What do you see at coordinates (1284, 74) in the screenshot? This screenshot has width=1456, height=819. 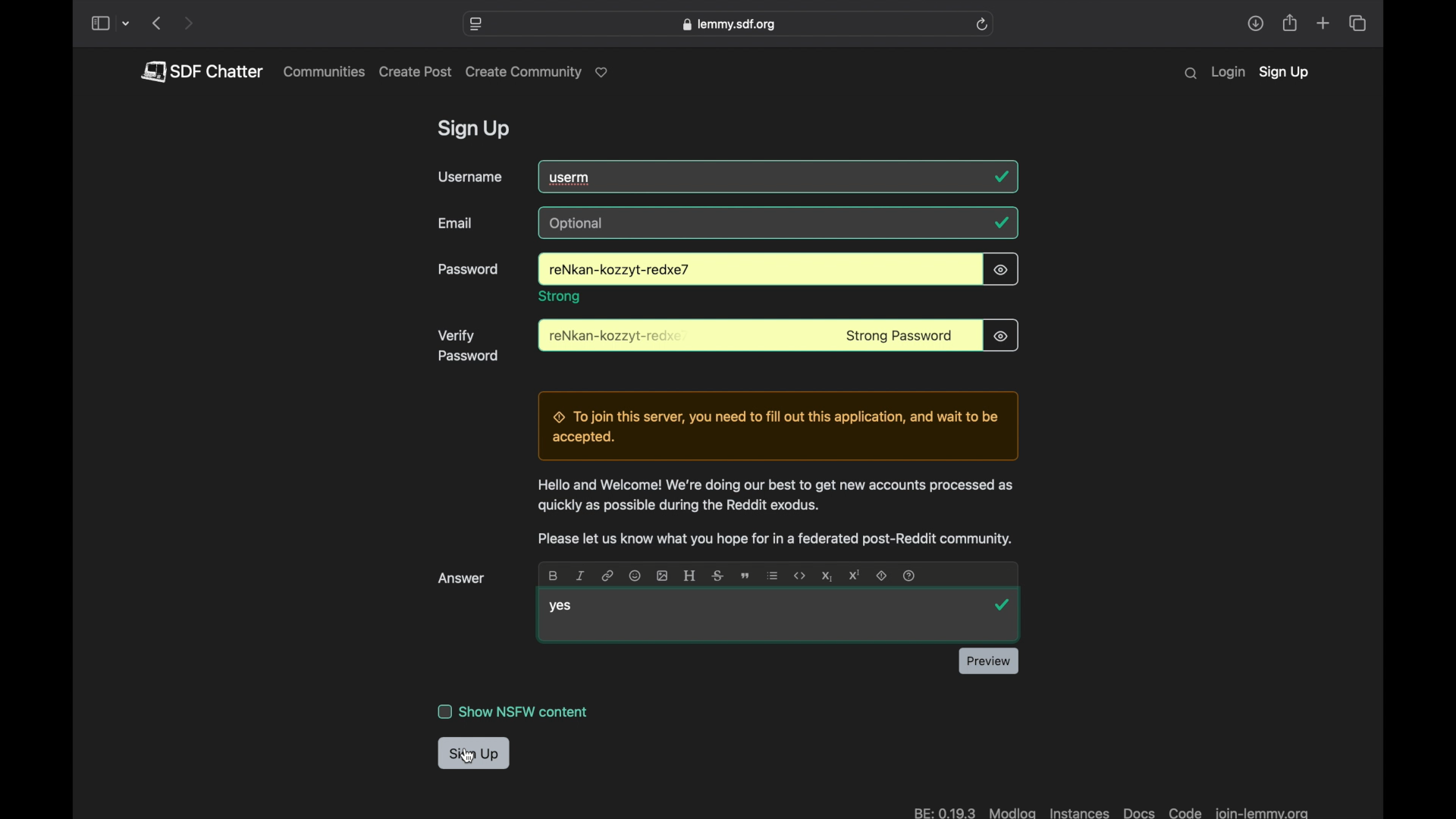 I see `sign up` at bounding box center [1284, 74].